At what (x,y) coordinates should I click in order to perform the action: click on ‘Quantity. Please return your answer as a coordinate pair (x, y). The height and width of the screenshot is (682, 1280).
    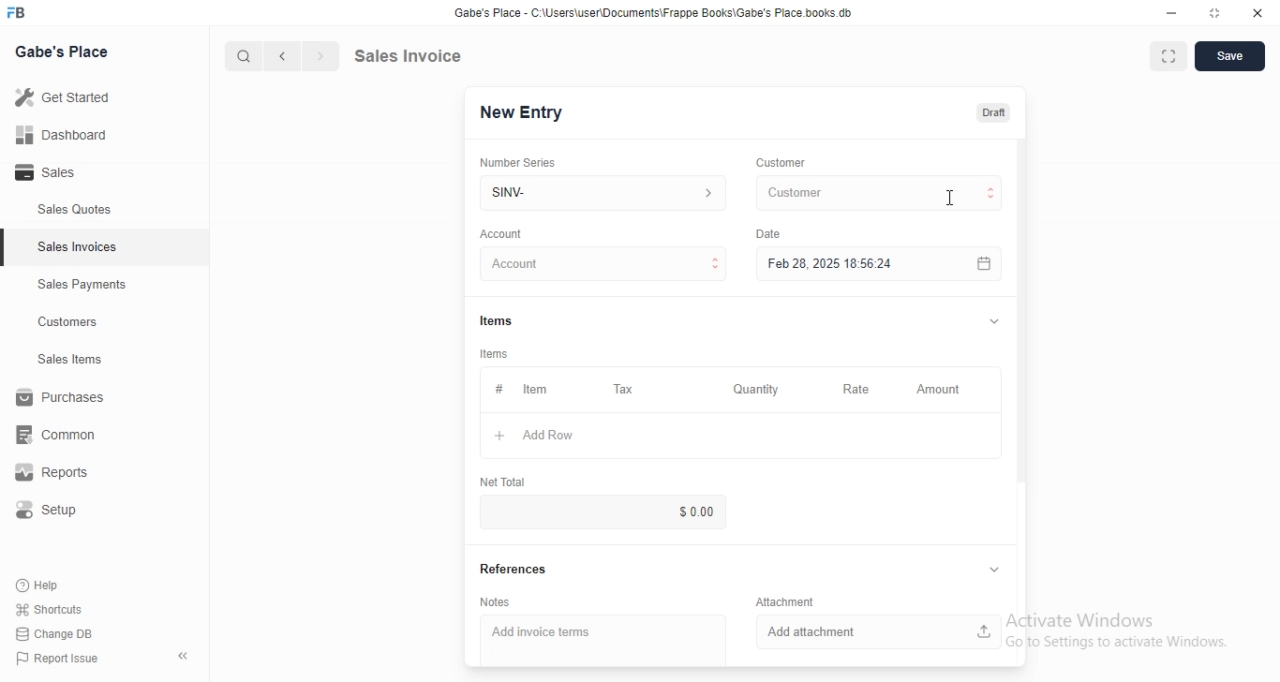
    Looking at the image, I should click on (755, 389).